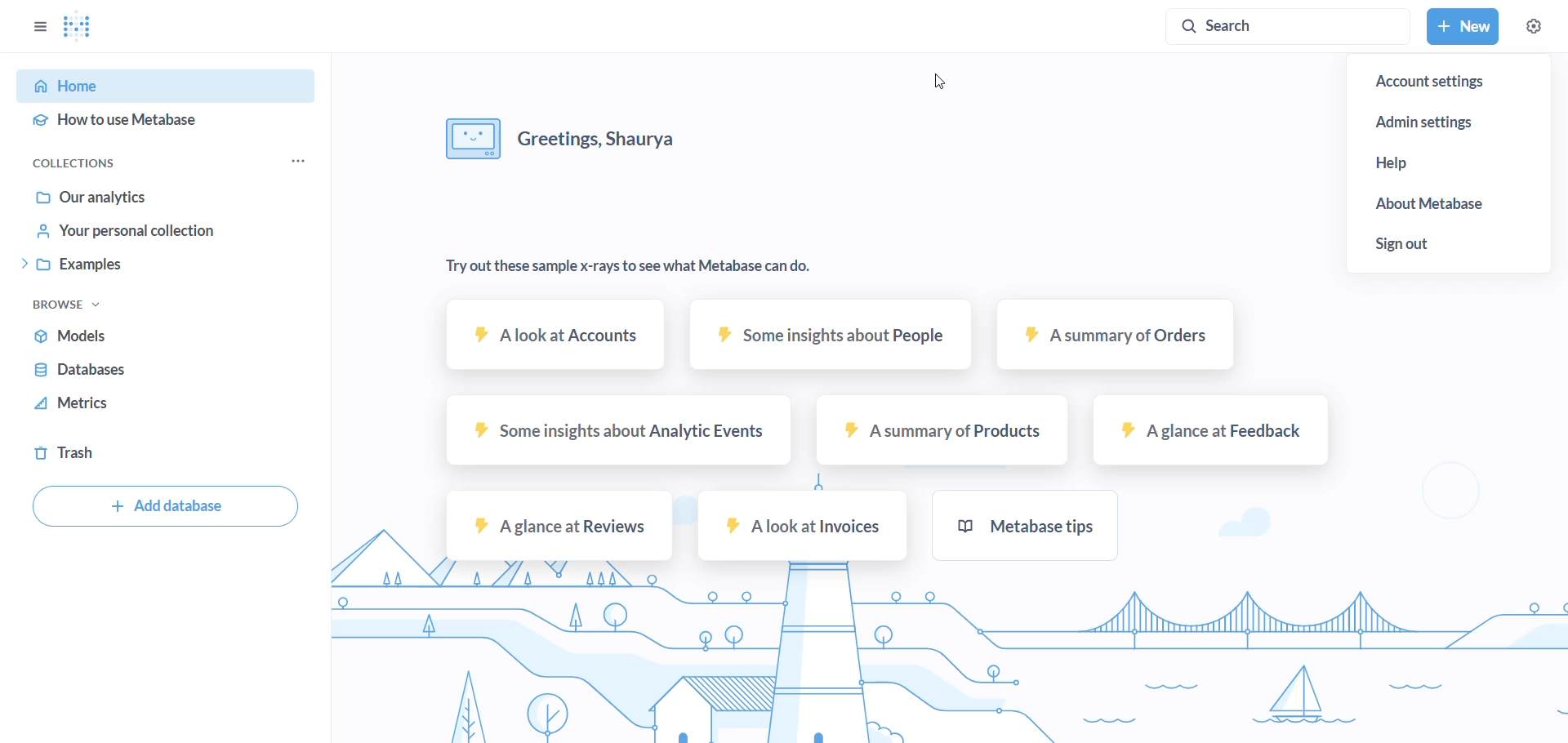  What do you see at coordinates (613, 433) in the screenshot?
I see `some insights about Analytic events sample` at bounding box center [613, 433].